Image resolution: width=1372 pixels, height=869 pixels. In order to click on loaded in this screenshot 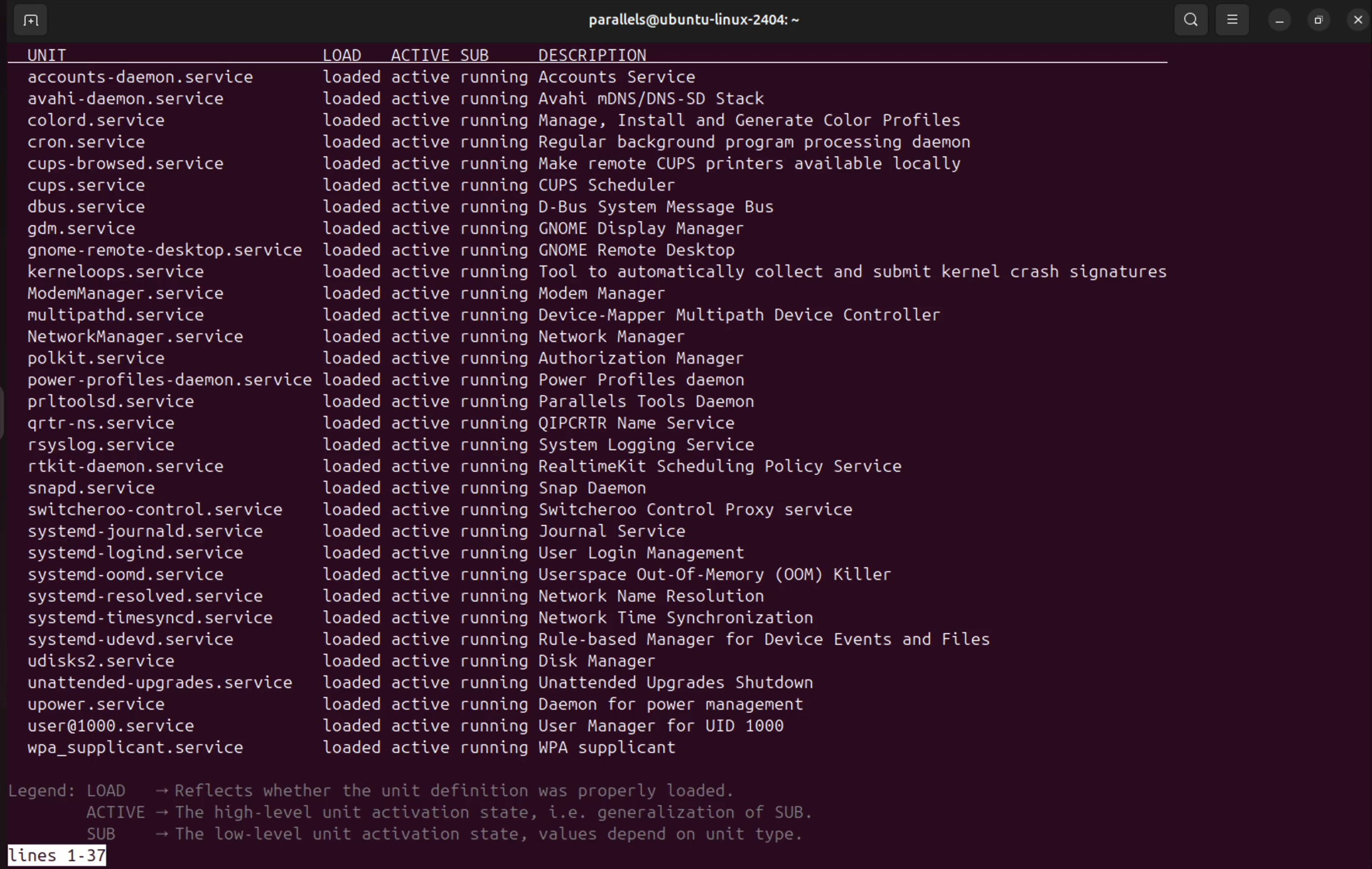, I will do `click(357, 705)`.